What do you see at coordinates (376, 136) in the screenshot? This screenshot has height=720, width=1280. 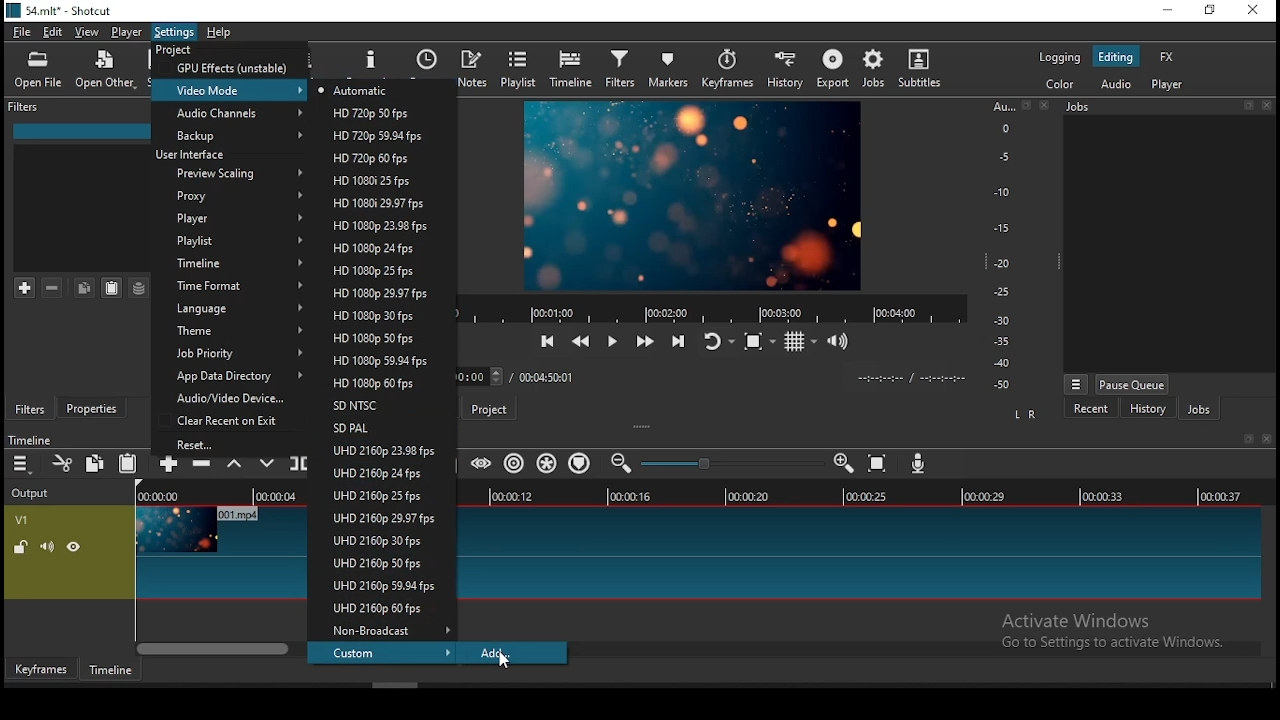 I see `resolution option` at bounding box center [376, 136].